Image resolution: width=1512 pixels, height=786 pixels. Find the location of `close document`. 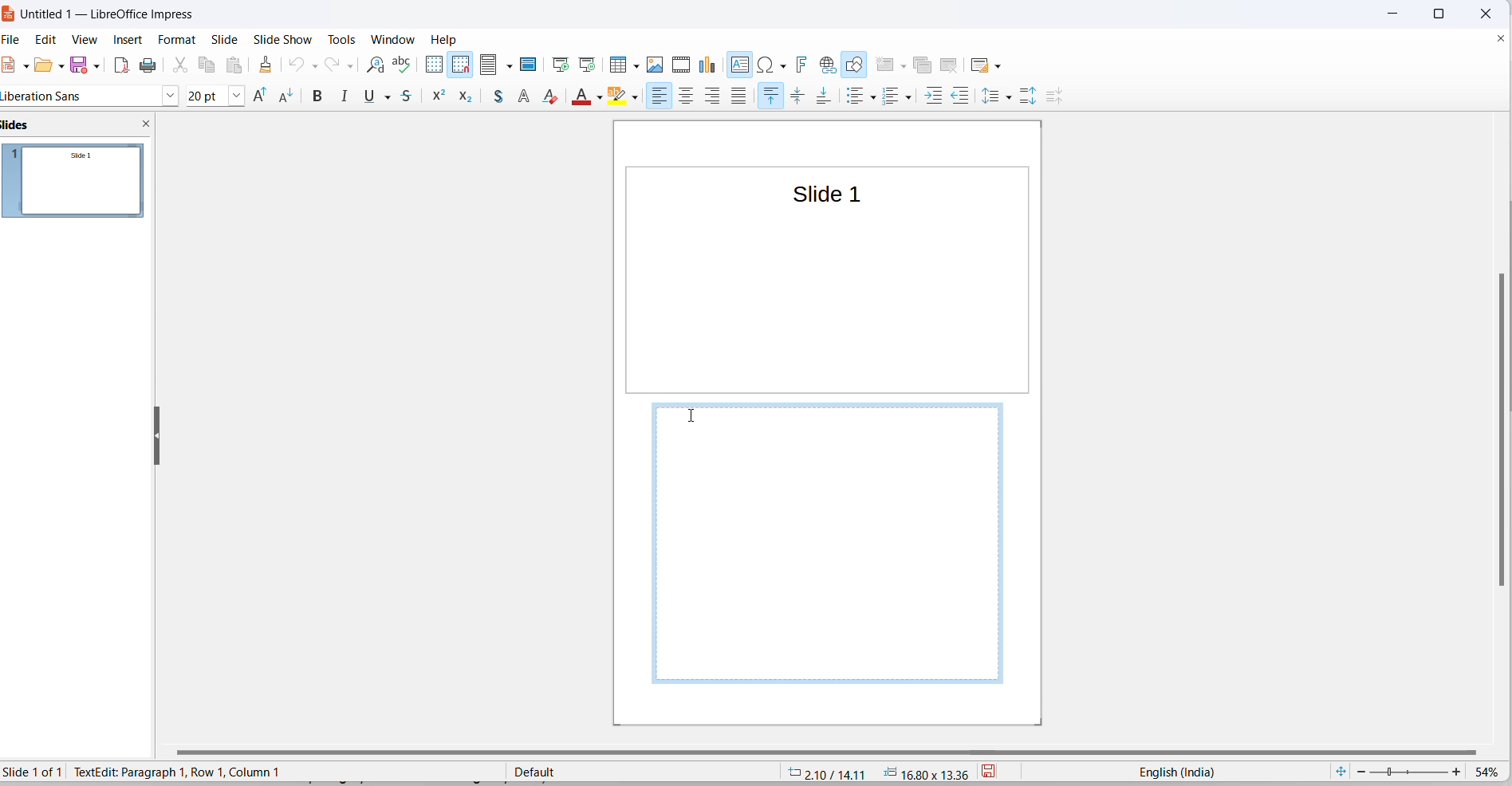

close document is located at coordinates (1501, 39).